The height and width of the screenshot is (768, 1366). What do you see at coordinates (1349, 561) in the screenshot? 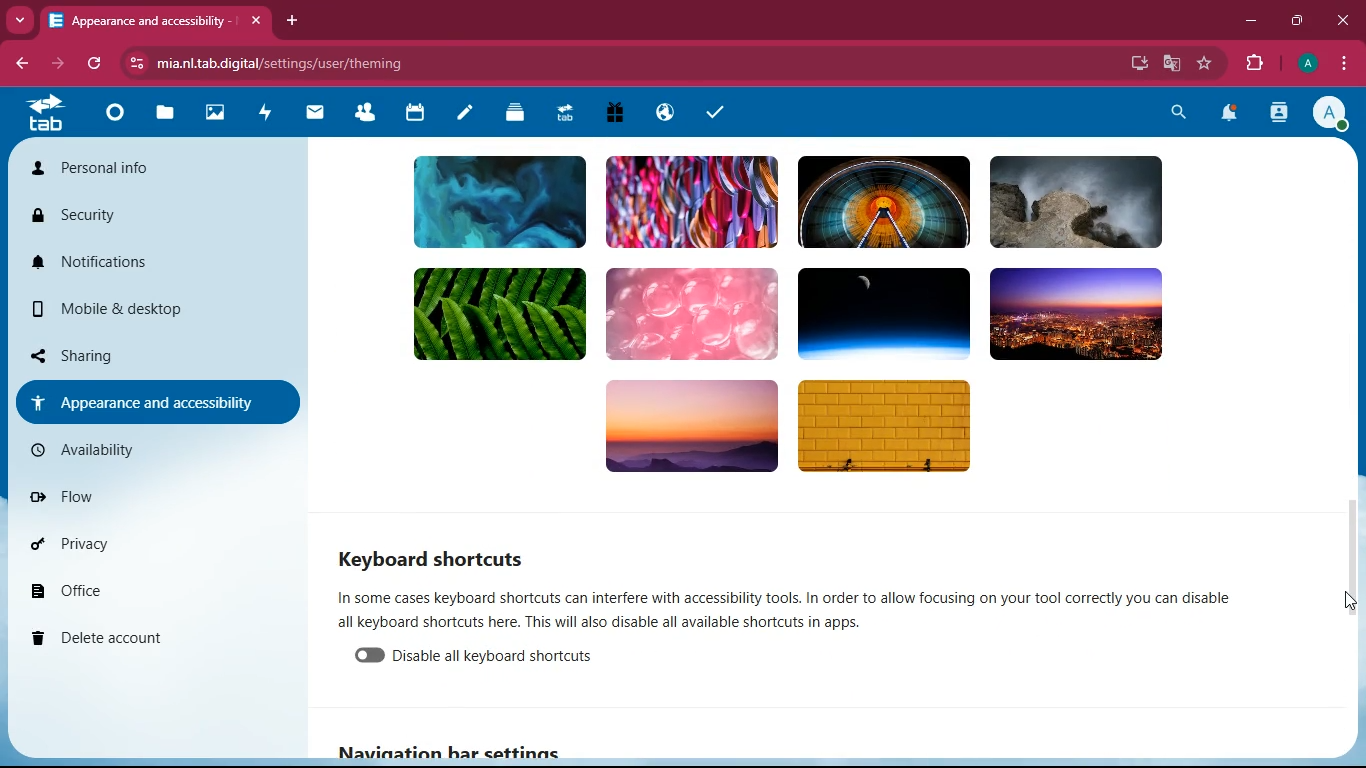
I see `scroll bar` at bounding box center [1349, 561].